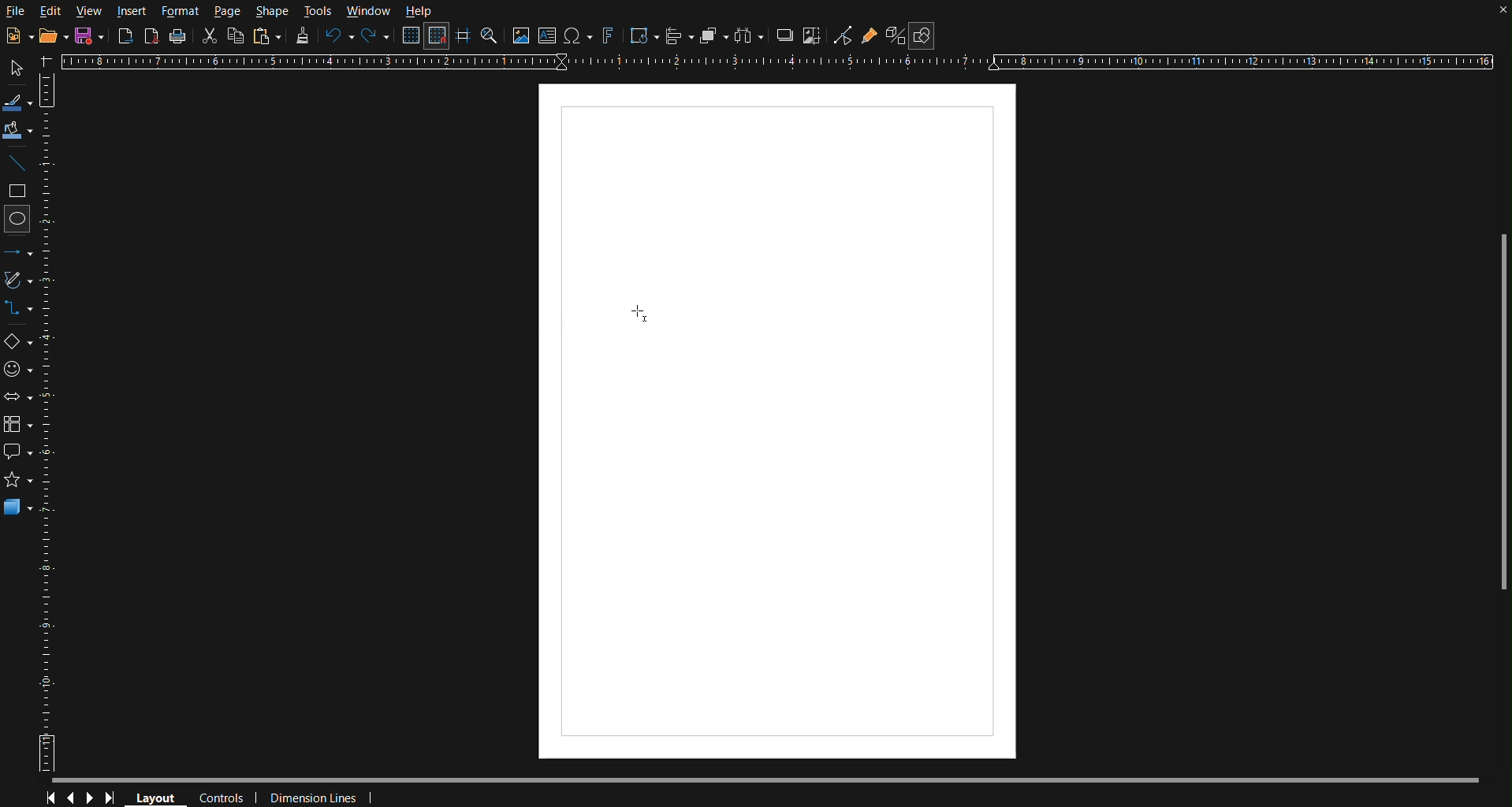 This screenshot has width=1512, height=807. What do you see at coordinates (643, 36) in the screenshot?
I see `Transformation` at bounding box center [643, 36].